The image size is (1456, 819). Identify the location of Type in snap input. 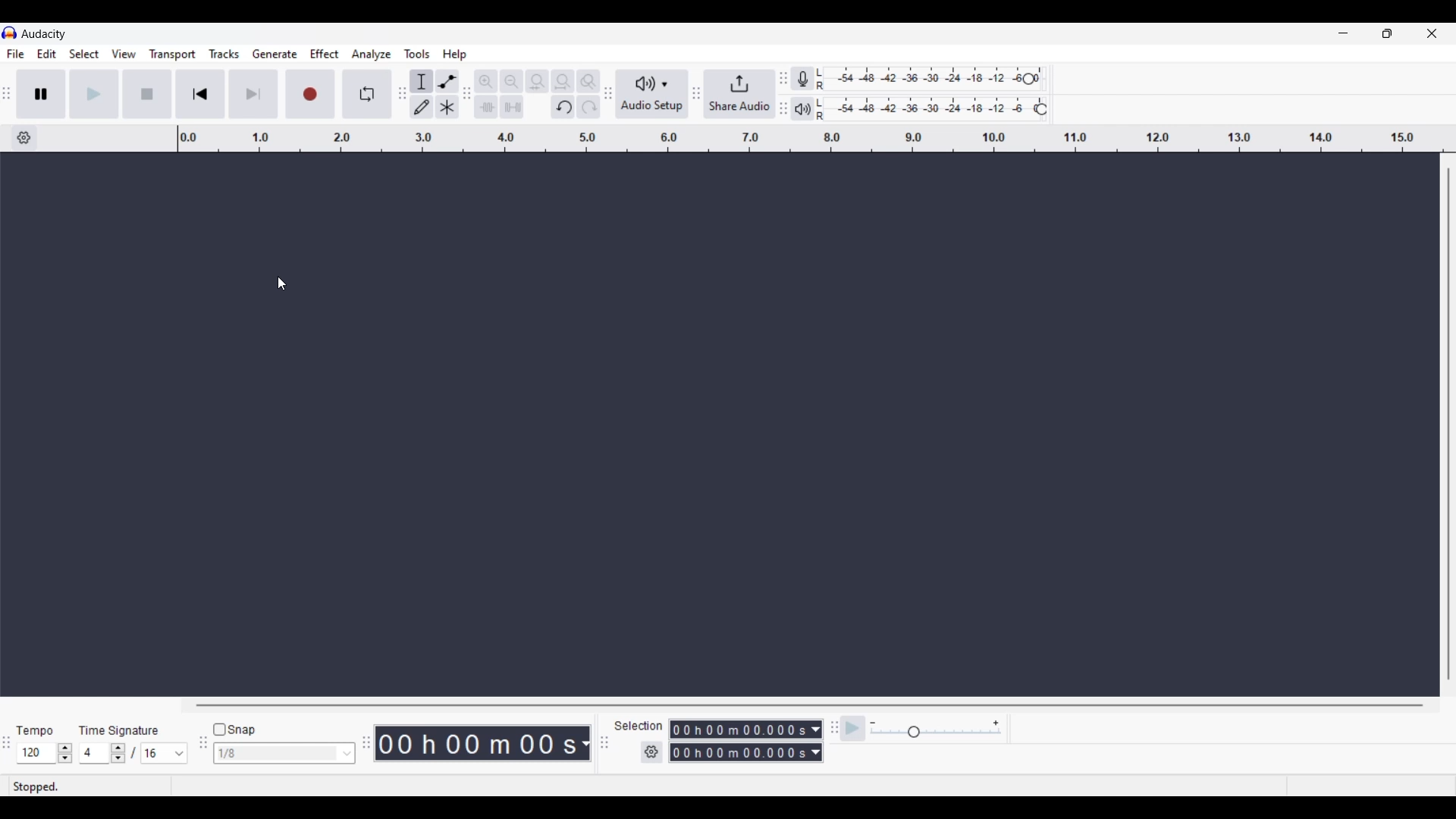
(276, 754).